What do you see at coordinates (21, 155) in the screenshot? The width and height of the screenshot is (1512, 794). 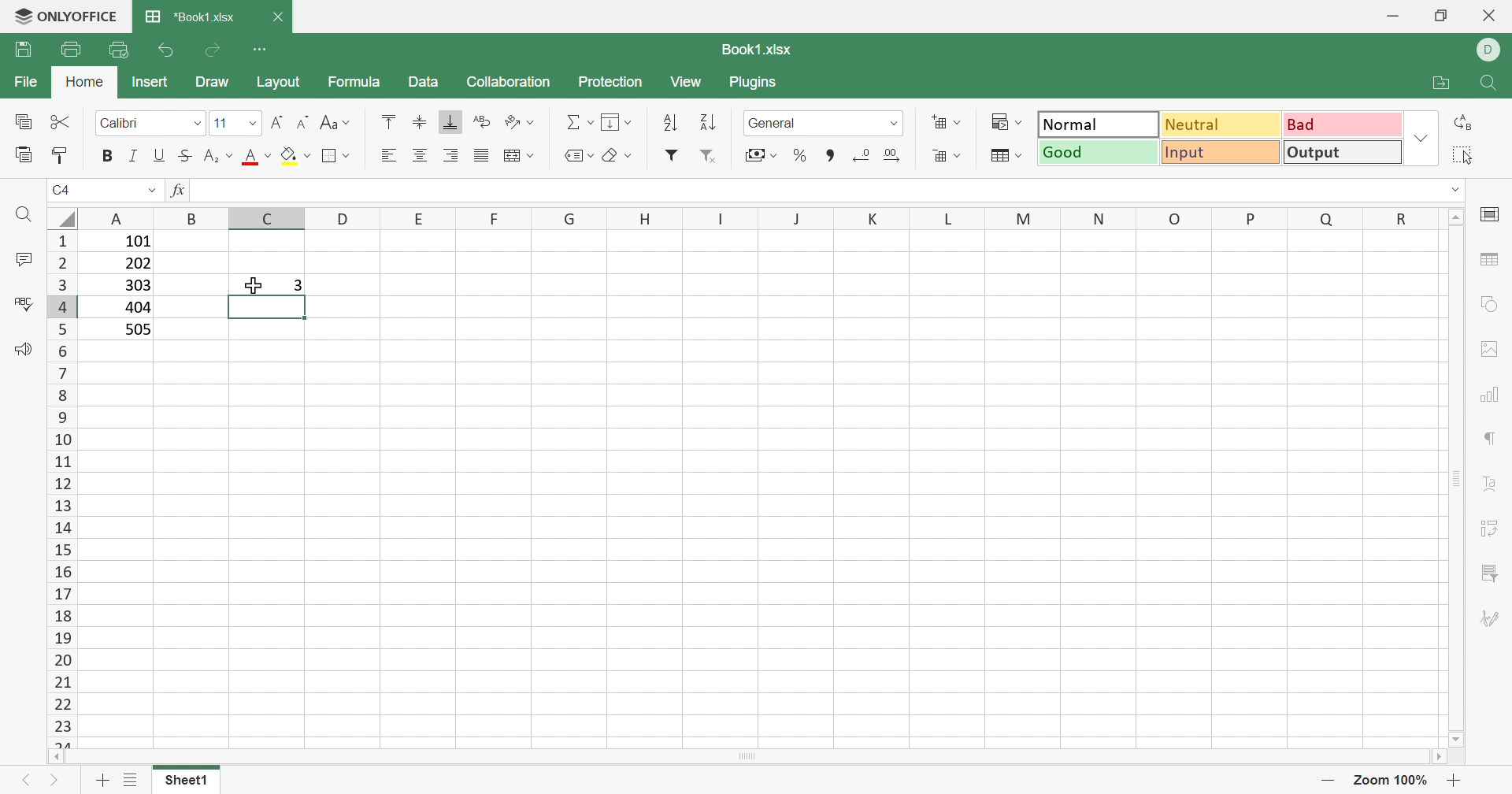 I see `Paste` at bounding box center [21, 155].